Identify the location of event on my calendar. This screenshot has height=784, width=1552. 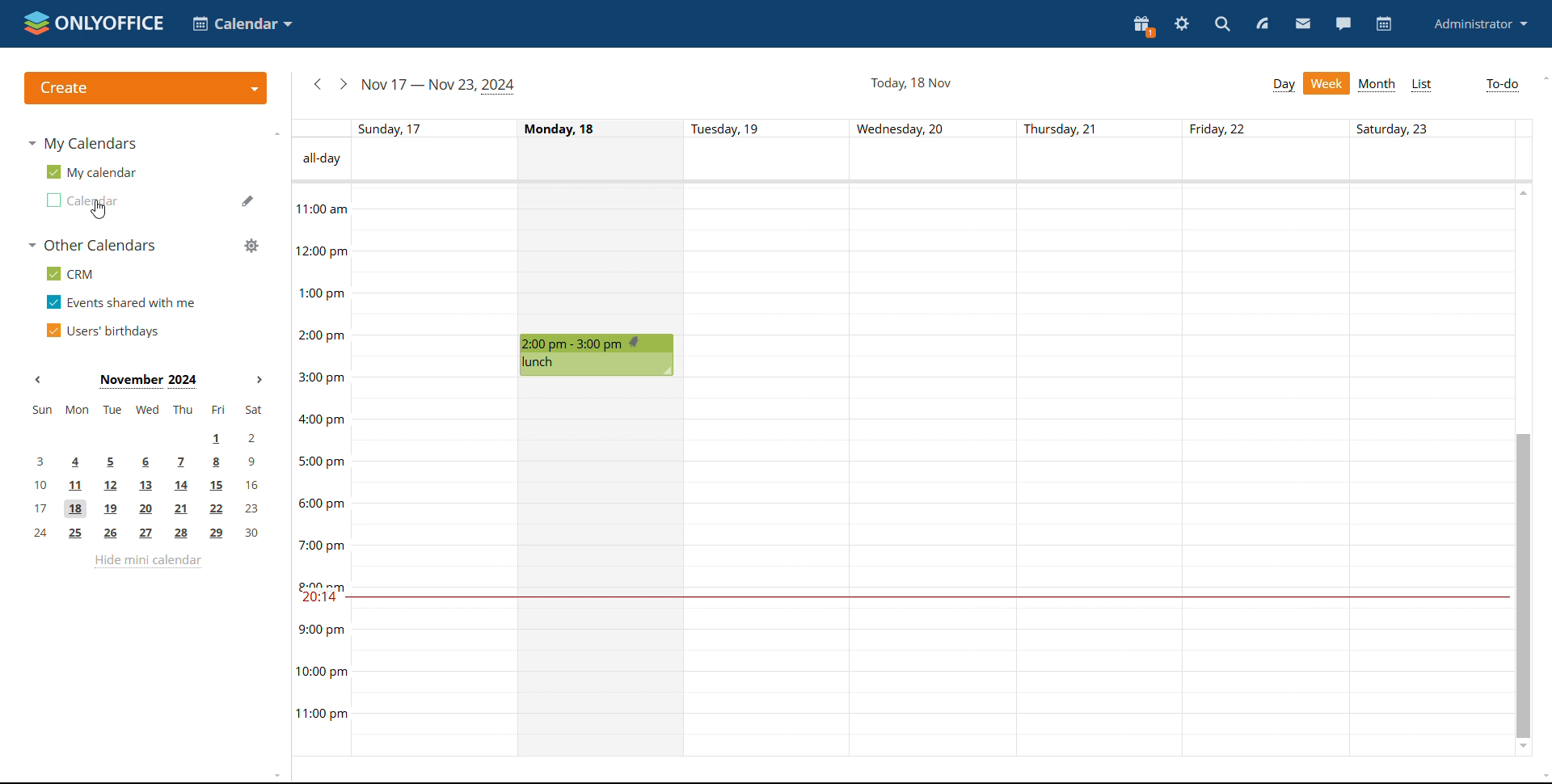
(598, 355).